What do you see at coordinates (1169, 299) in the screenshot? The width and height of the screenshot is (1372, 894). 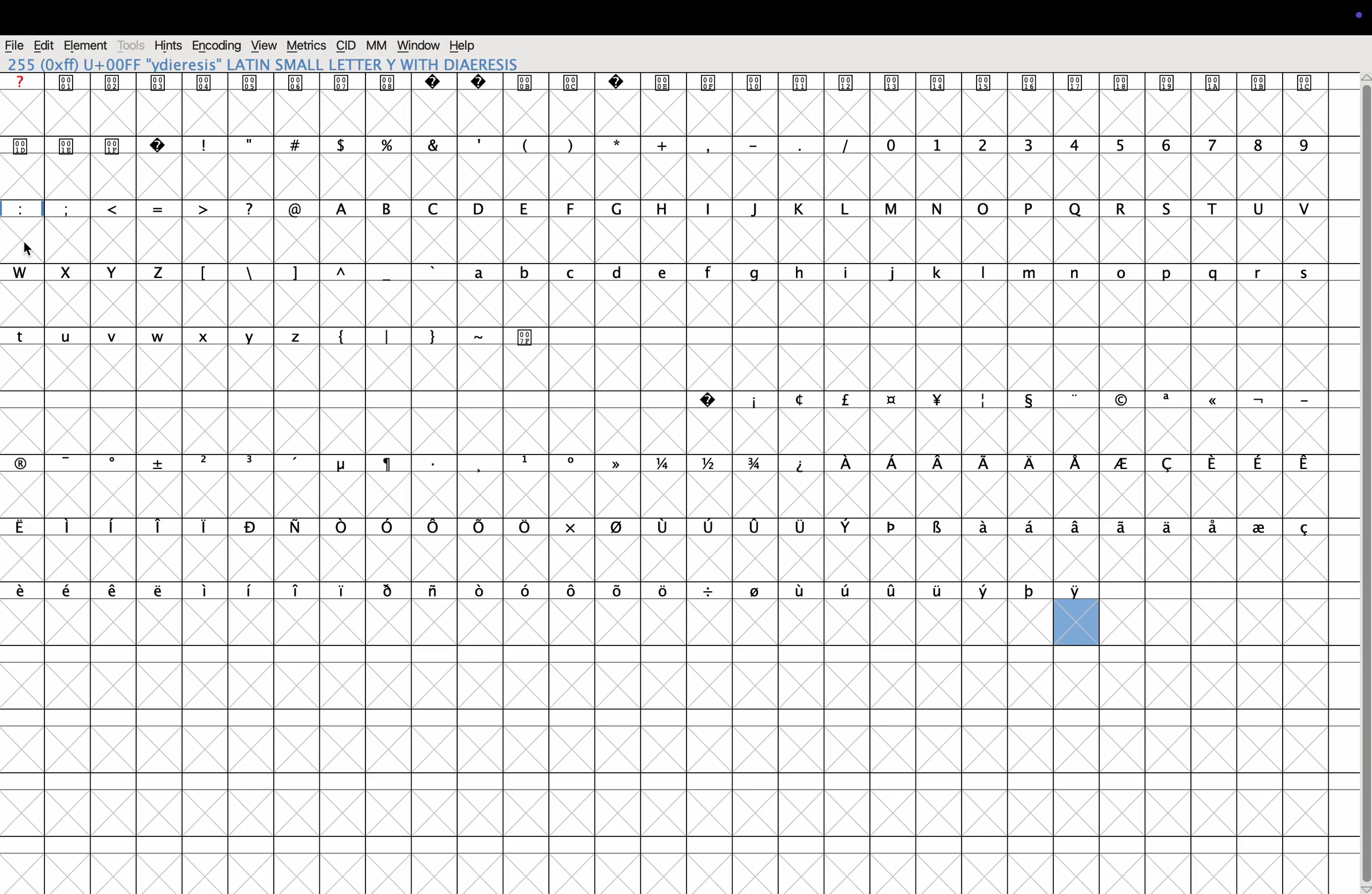 I see `p` at bounding box center [1169, 299].